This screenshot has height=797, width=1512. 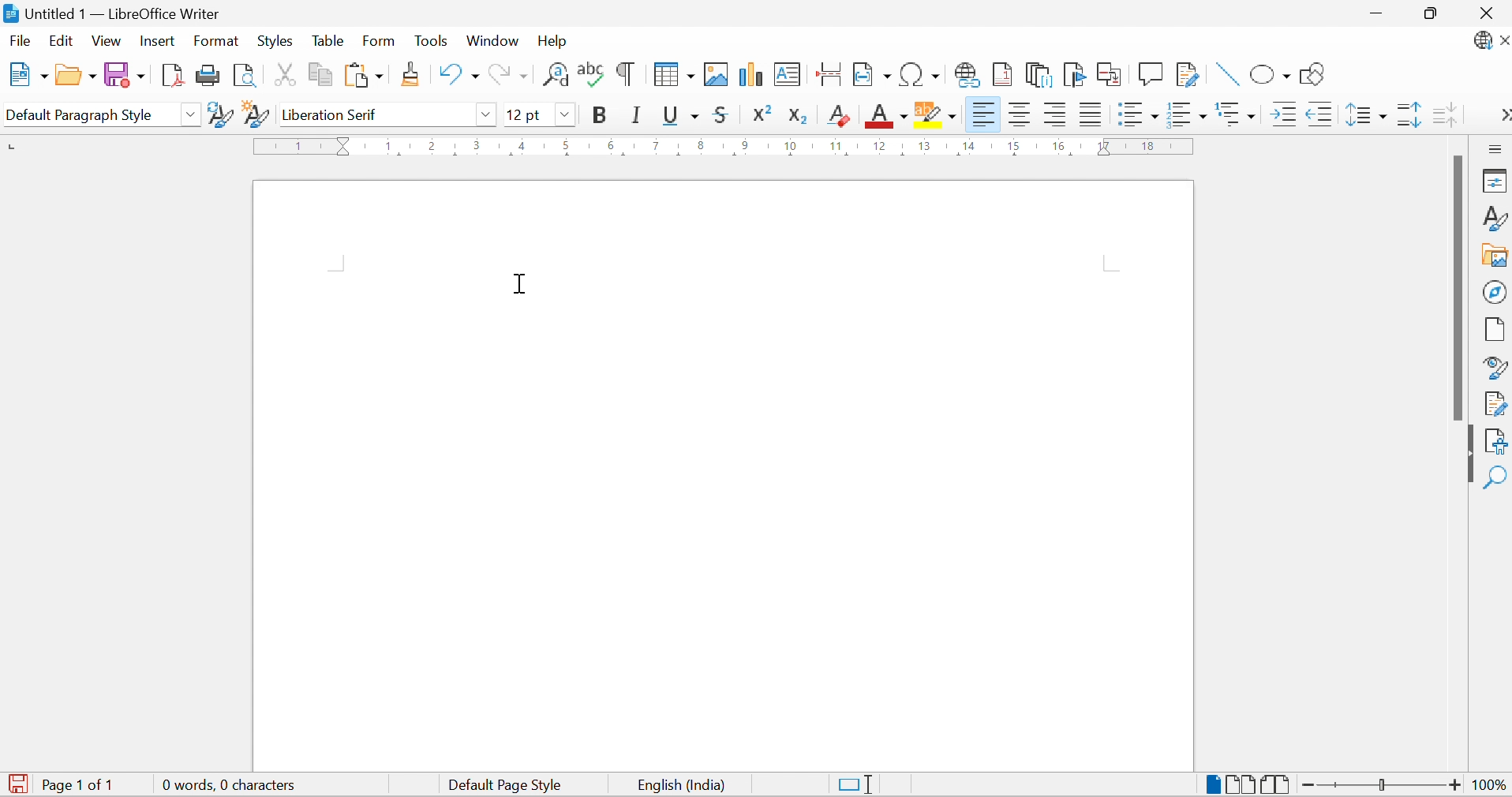 What do you see at coordinates (170, 74) in the screenshot?
I see `Export as PDF` at bounding box center [170, 74].